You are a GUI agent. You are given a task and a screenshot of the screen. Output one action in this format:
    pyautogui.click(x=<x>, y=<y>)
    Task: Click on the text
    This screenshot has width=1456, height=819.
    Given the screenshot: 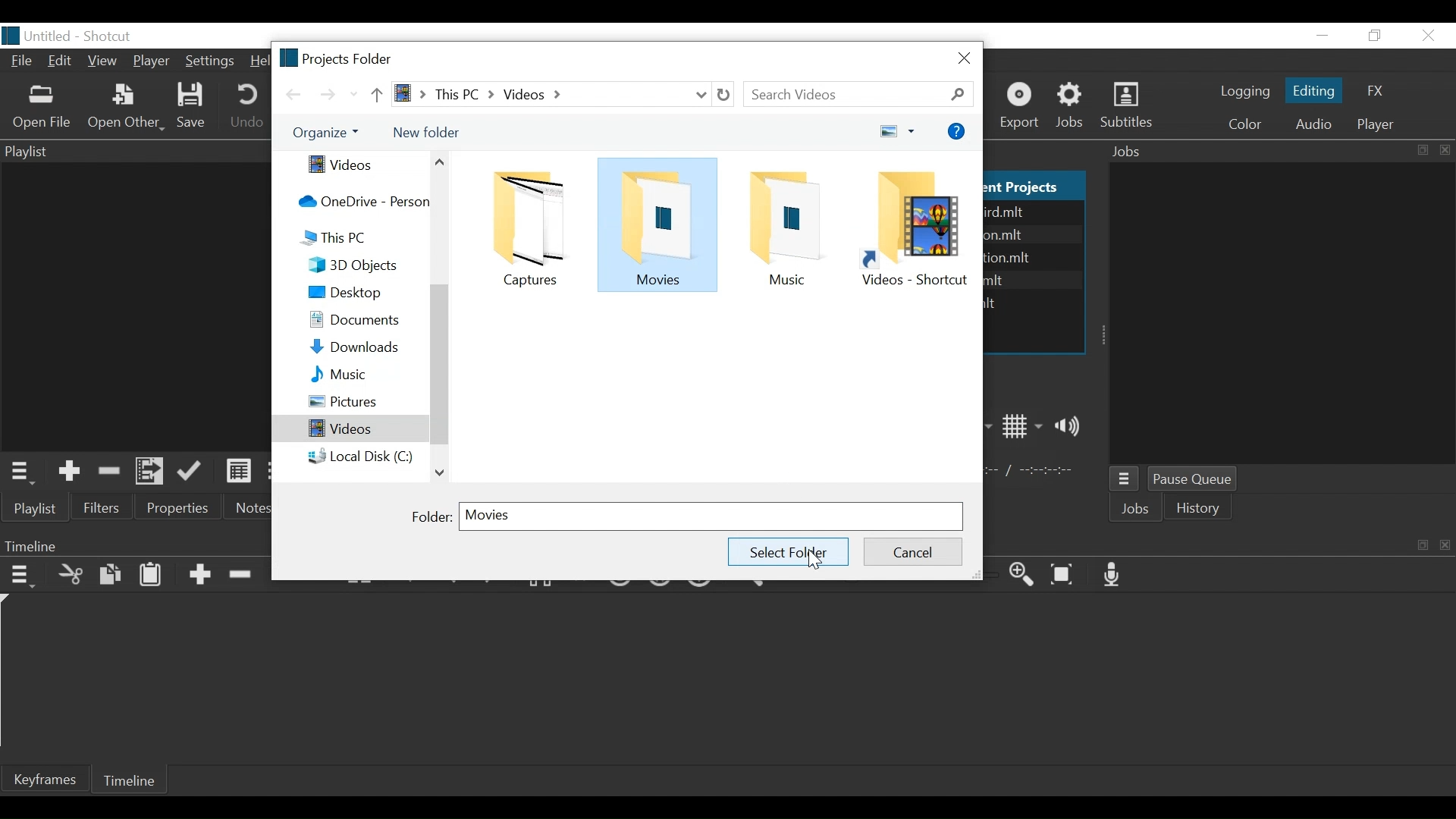 What is the action you would take?
    pyautogui.click(x=1040, y=243)
    